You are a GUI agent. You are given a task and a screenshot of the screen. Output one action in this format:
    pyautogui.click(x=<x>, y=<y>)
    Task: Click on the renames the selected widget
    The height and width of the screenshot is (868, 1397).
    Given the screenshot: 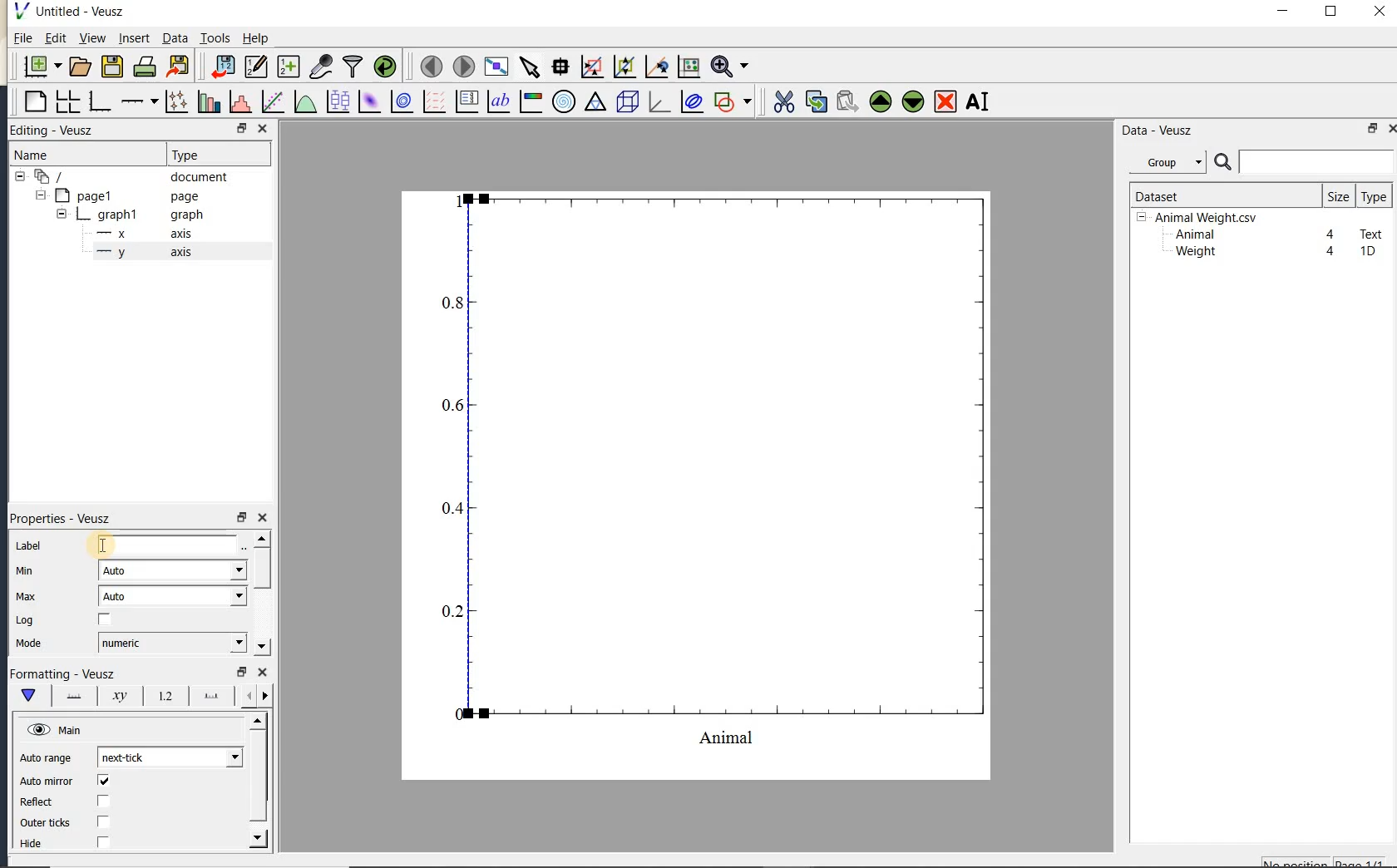 What is the action you would take?
    pyautogui.click(x=976, y=101)
    